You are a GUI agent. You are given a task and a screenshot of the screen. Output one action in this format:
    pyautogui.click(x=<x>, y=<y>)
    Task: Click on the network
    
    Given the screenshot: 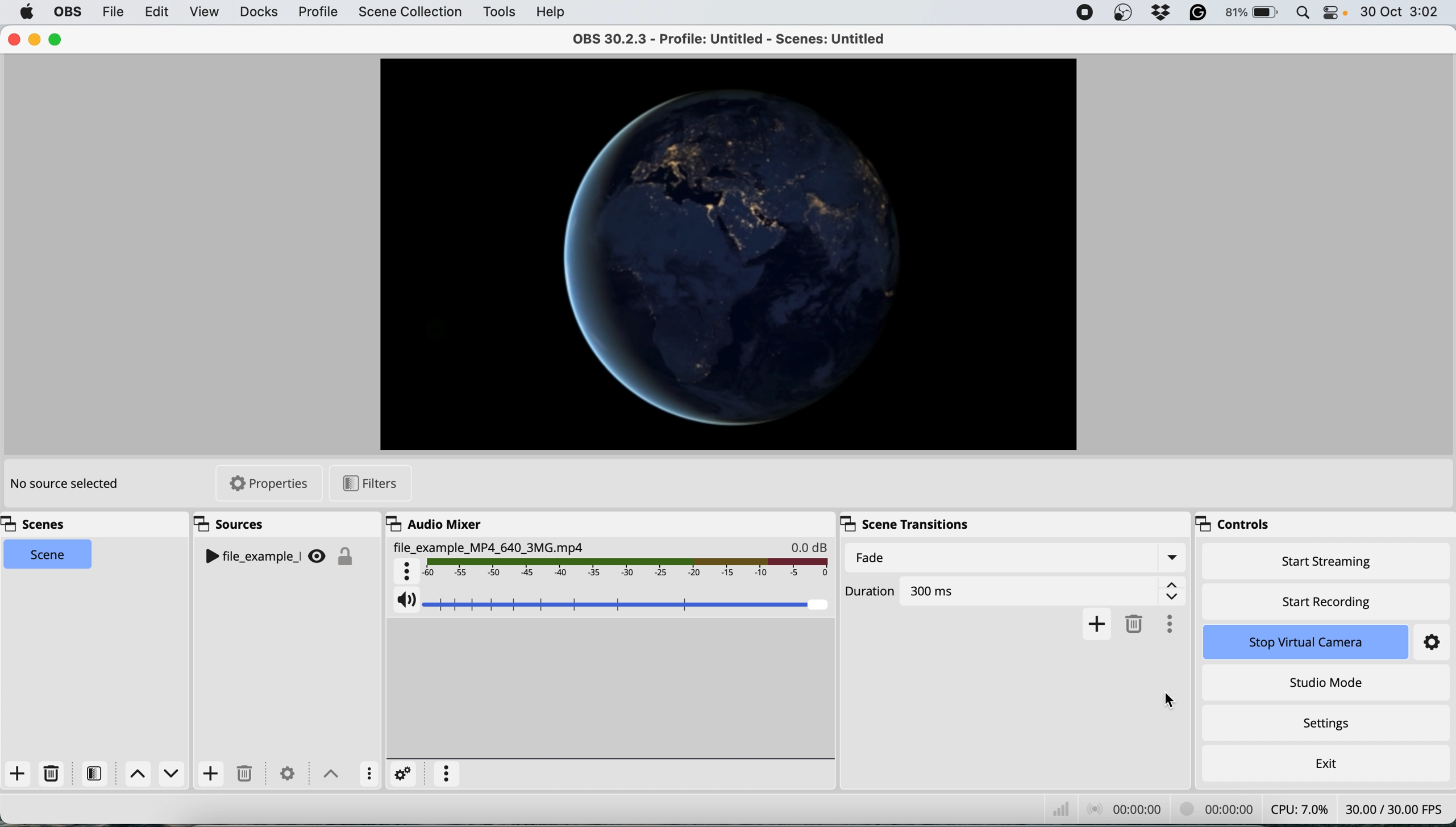 What is the action you would take?
    pyautogui.click(x=1062, y=808)
    